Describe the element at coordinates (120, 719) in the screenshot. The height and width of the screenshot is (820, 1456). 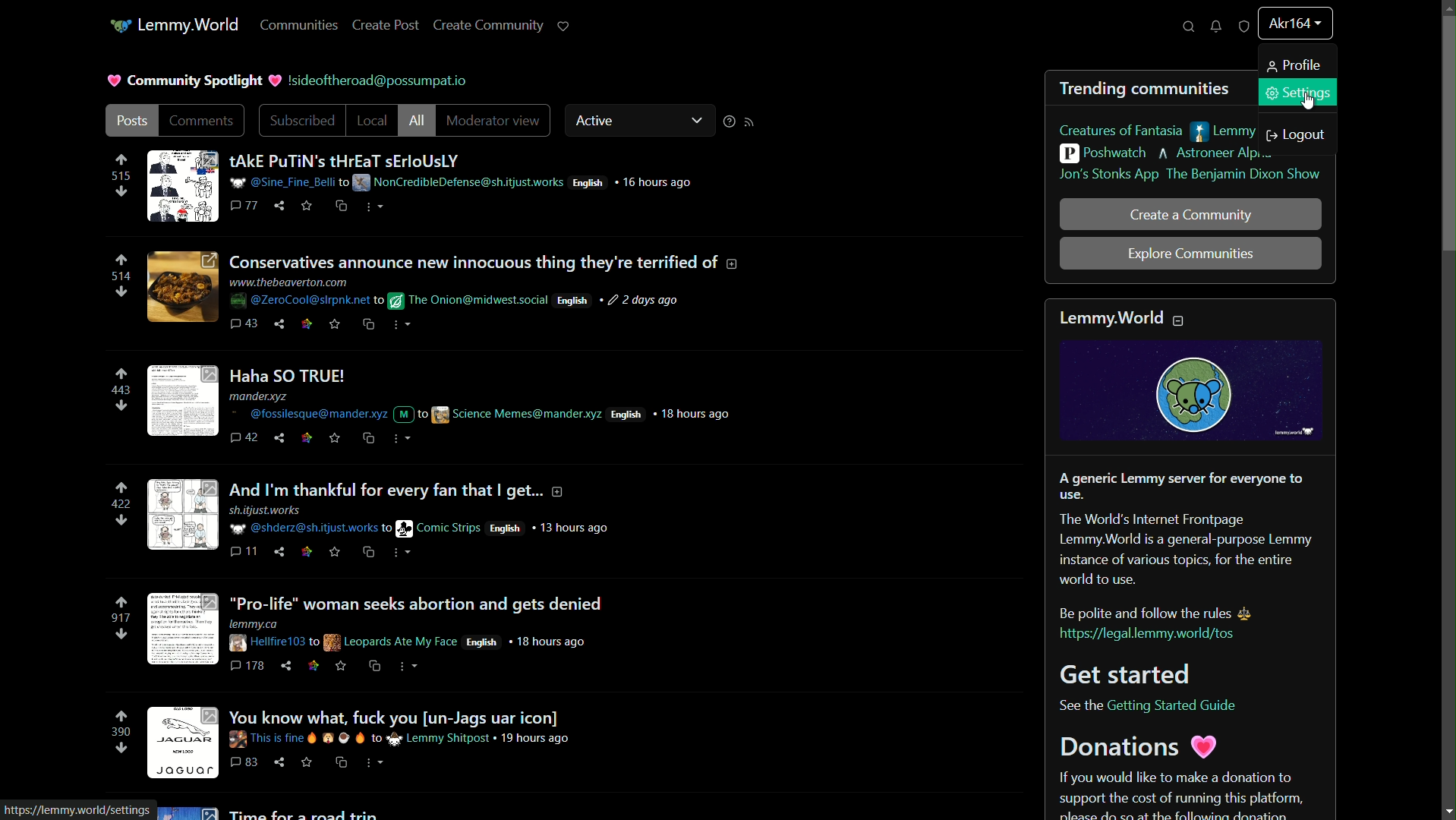
I see `upvote` at that location.